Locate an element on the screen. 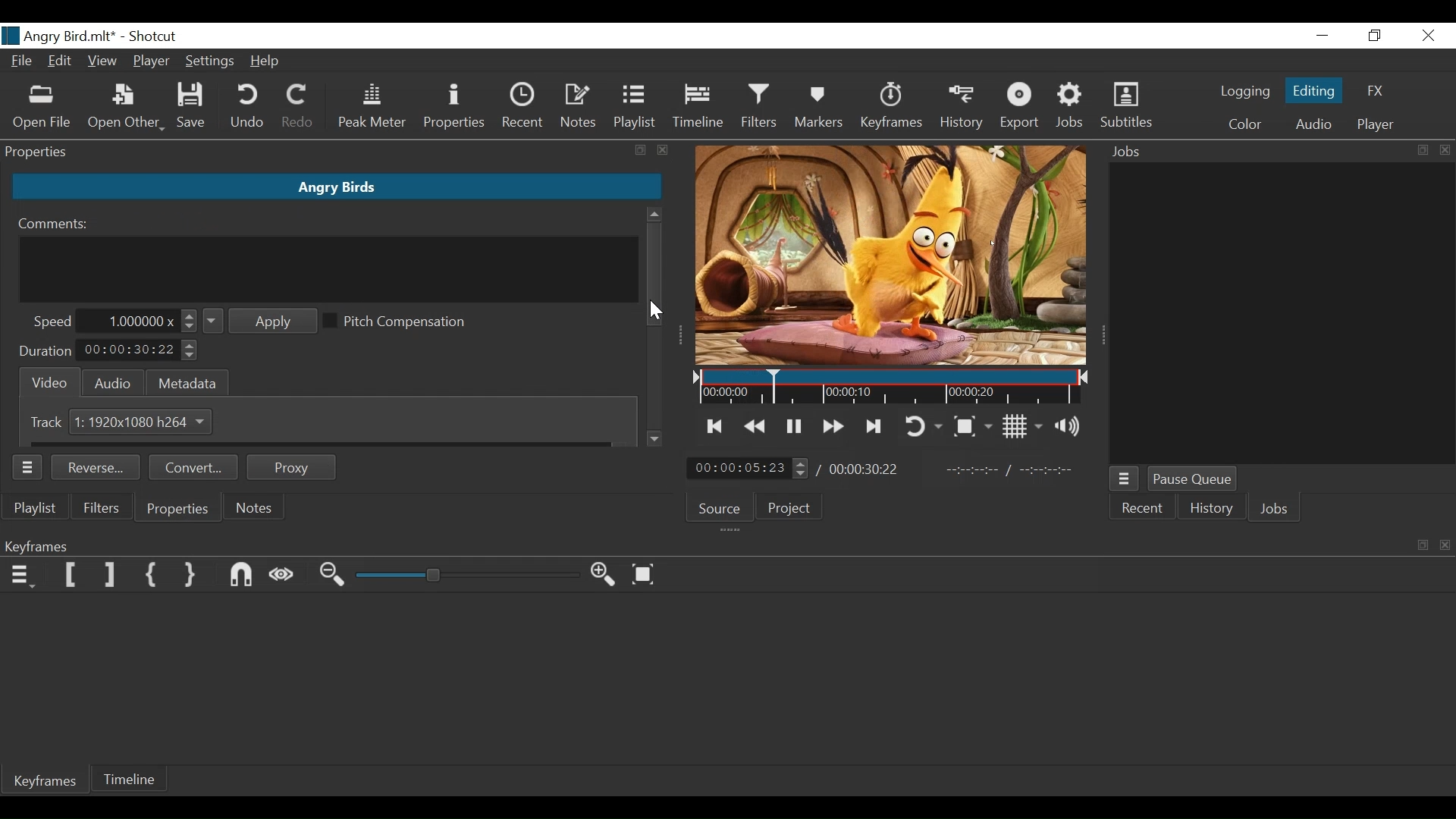  Jobs Menu is located at coordinates (1125, 481).